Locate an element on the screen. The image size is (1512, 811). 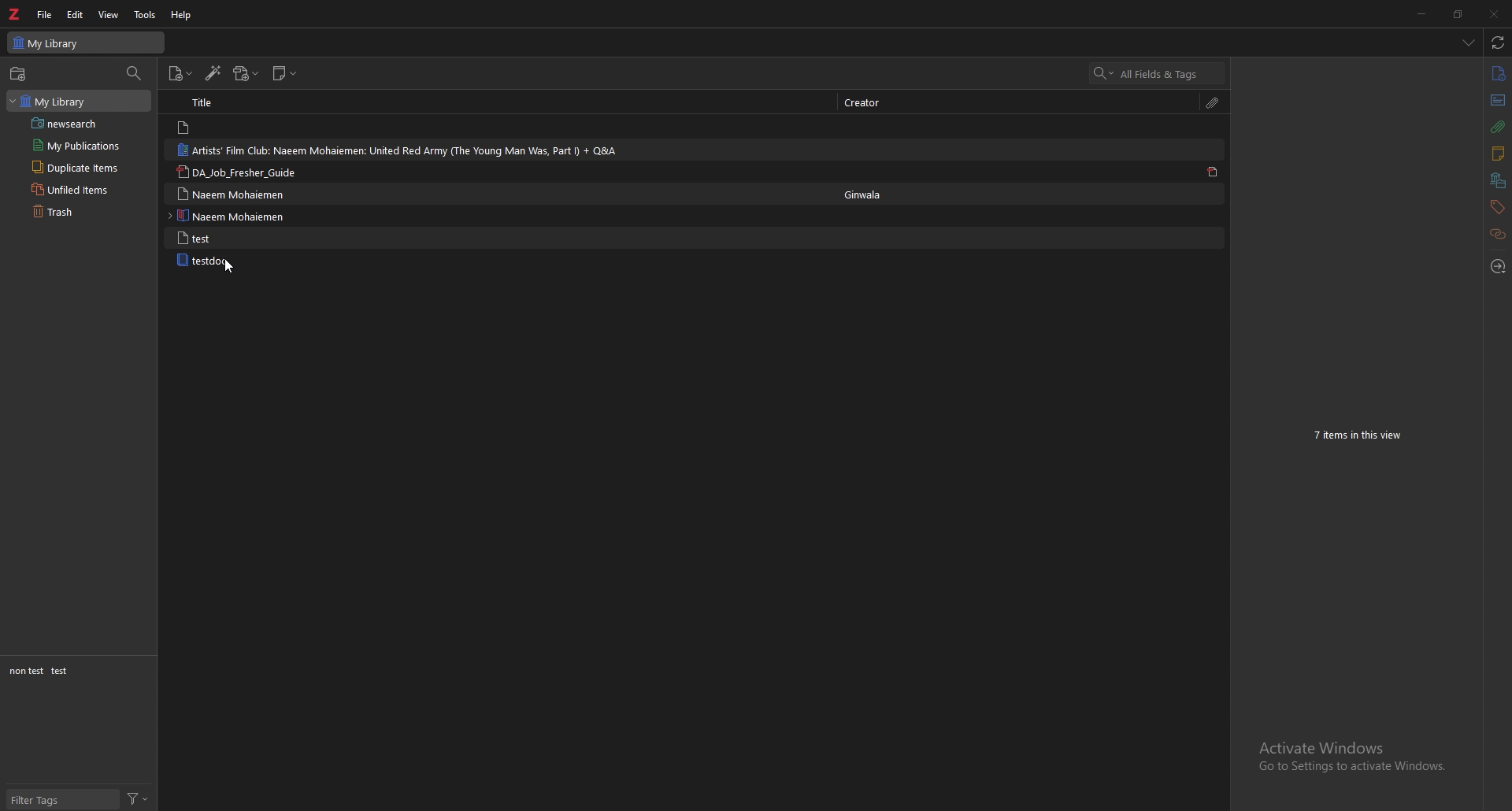
saved search is located at coordinates (83, 124).